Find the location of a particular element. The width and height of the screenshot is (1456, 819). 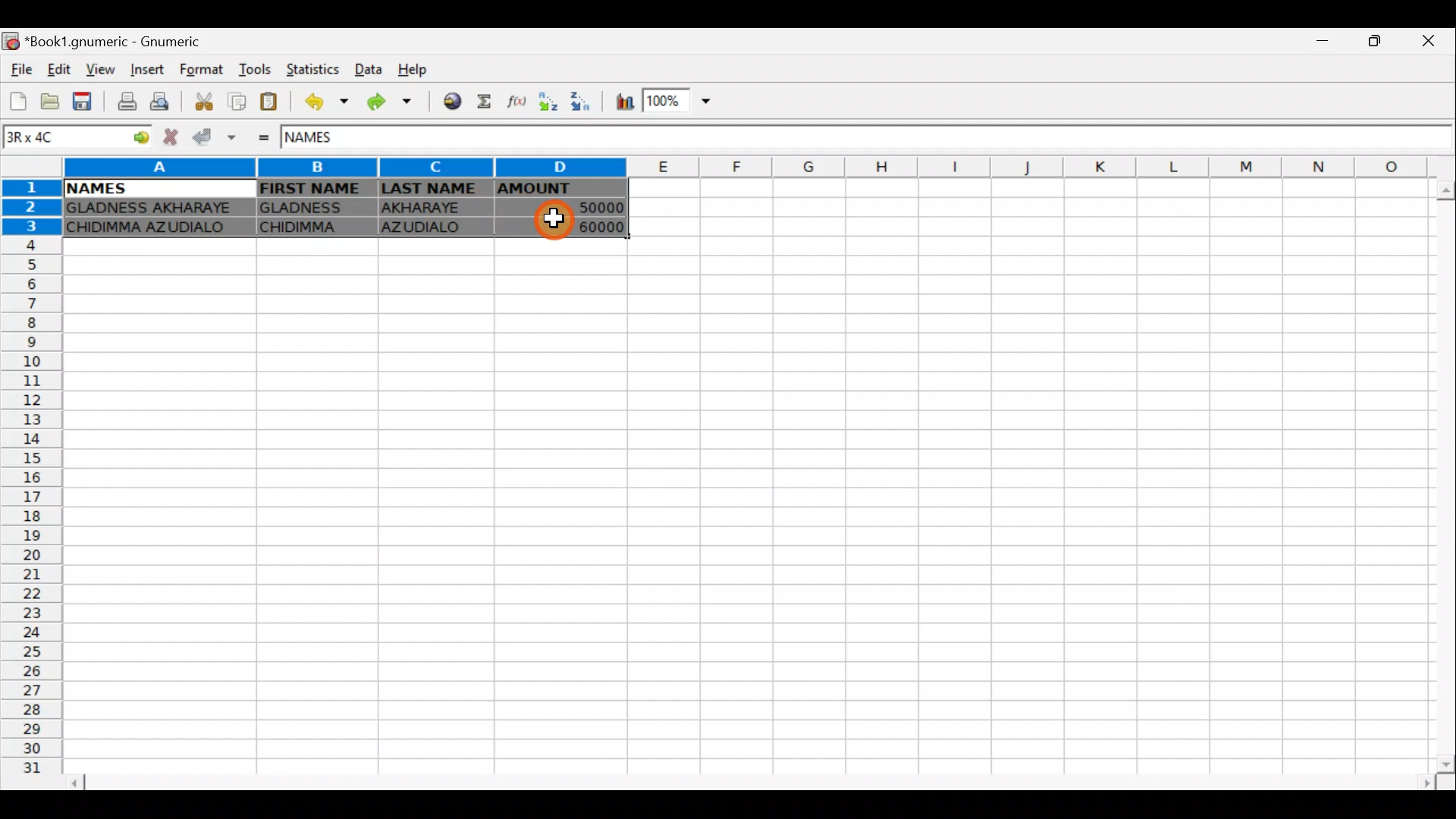

Cut selection is located at coordinates (208, 104).